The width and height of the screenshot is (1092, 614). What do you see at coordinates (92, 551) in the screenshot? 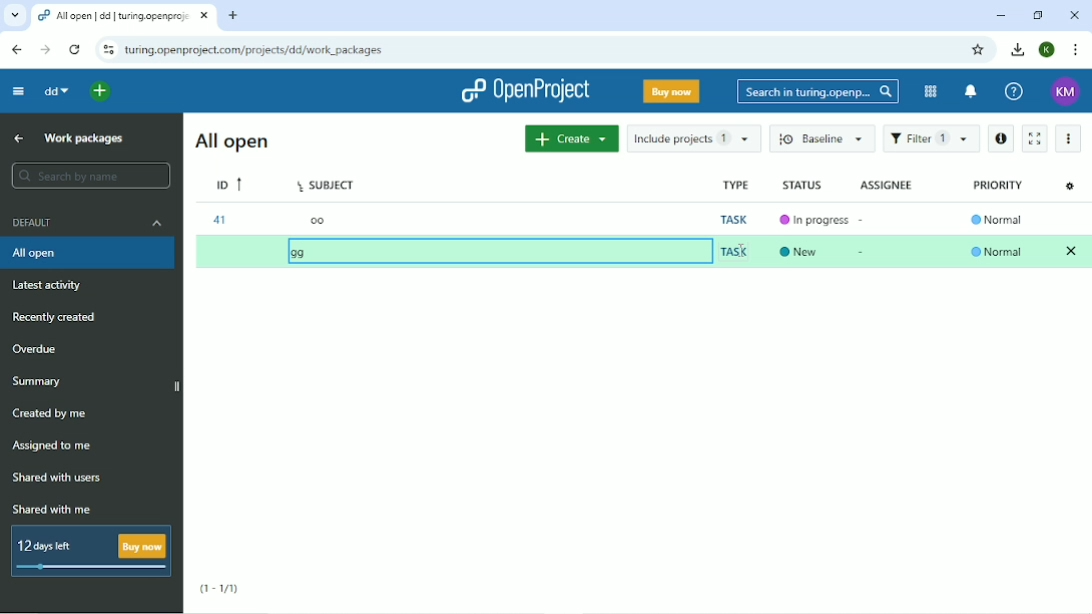
I see `12 days left Buy now` at bounding box center [92, 551].